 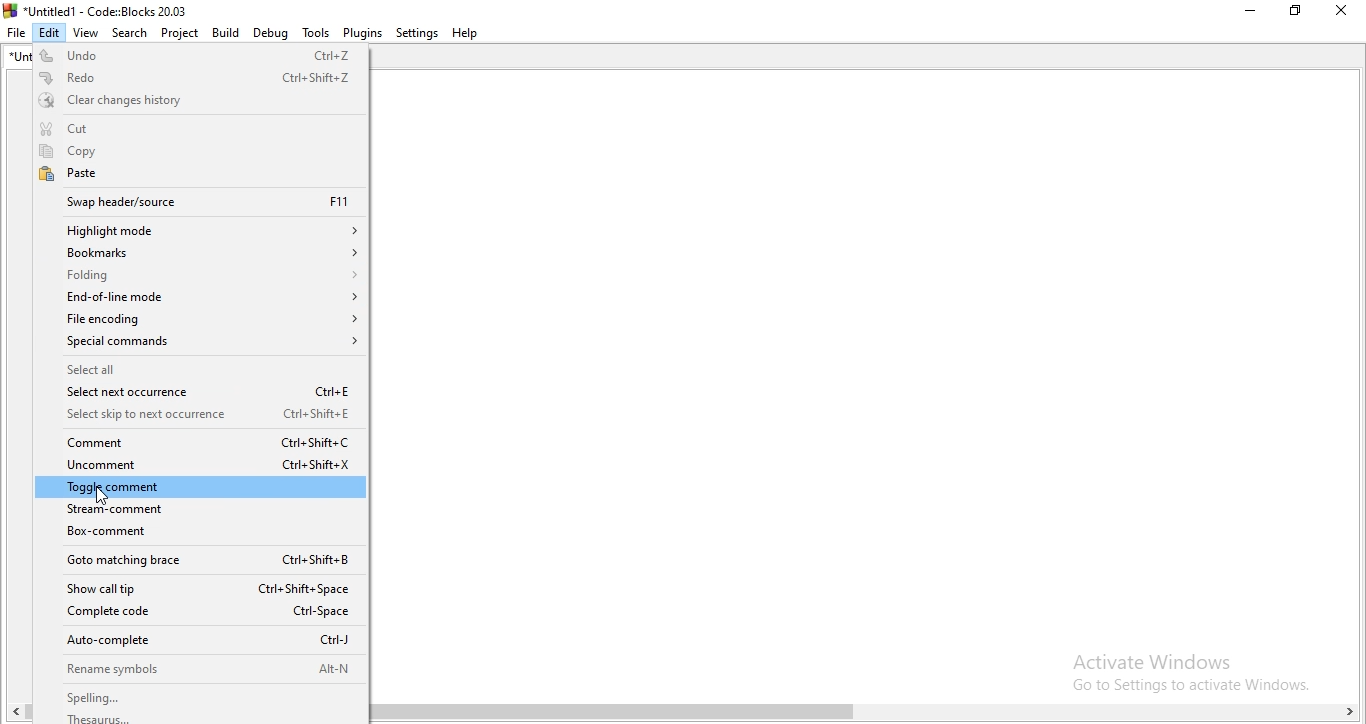 What do you see at coordinates (105, 497) in the screenshot?
I see `cursor` at bounding box center [105, 497].